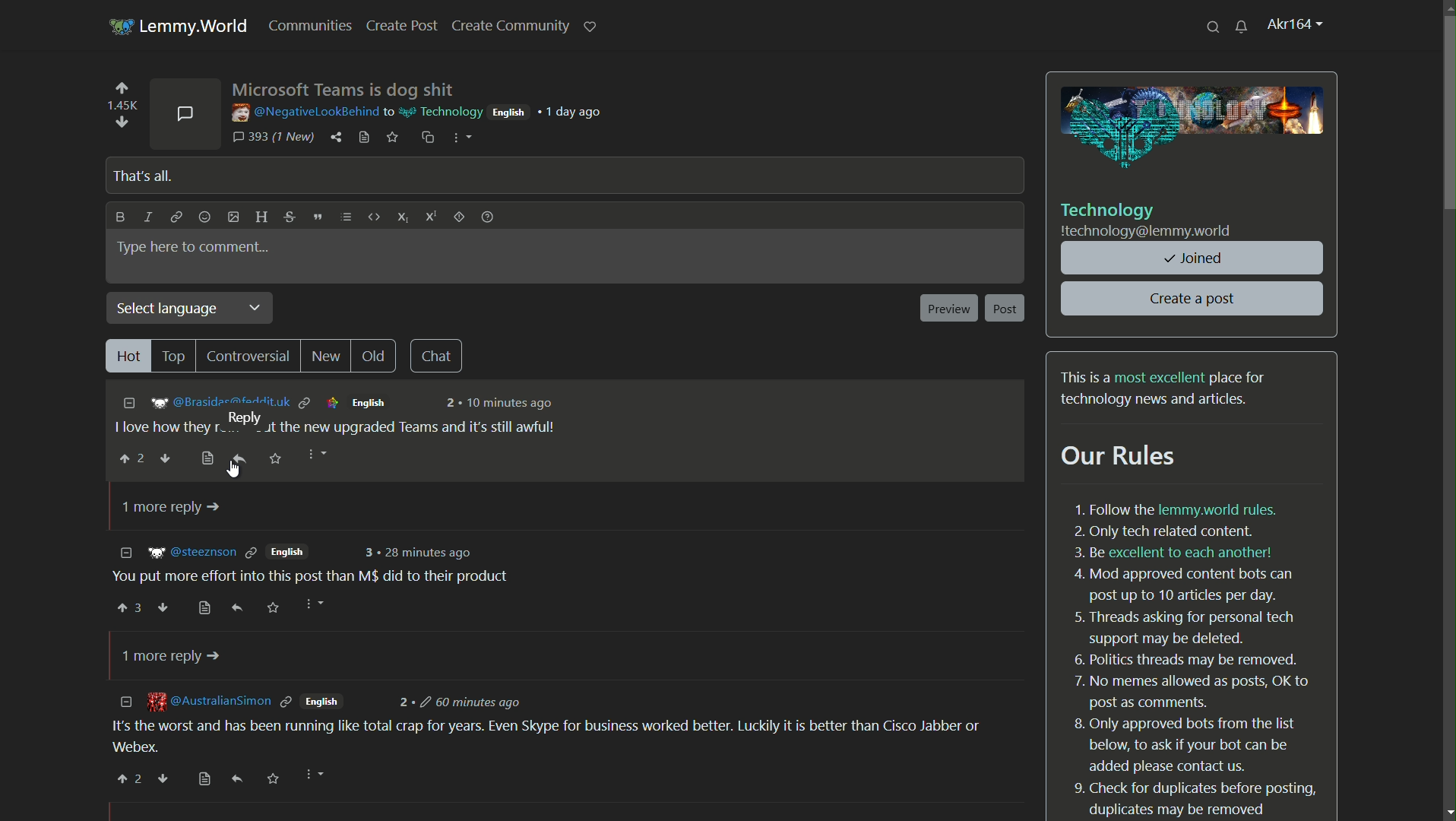  Describe the element at coordinates (197, 27) in the screenshot. I see `lemmy.world` at that location.